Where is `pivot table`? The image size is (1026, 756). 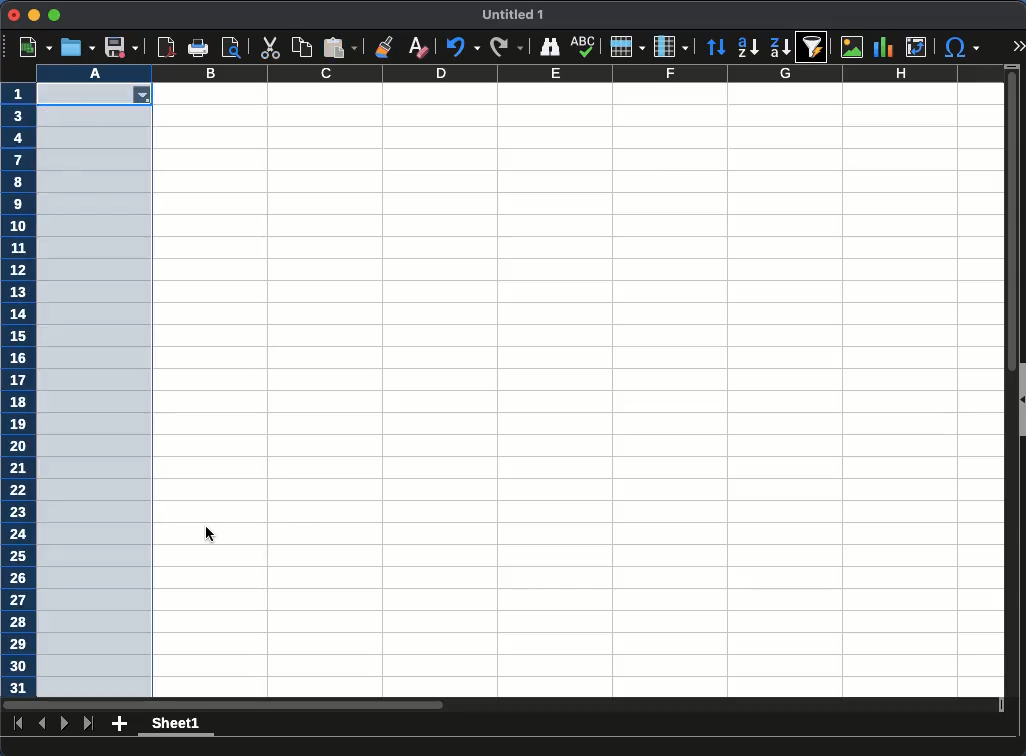
pivot table is located at coordinates (918, 47).